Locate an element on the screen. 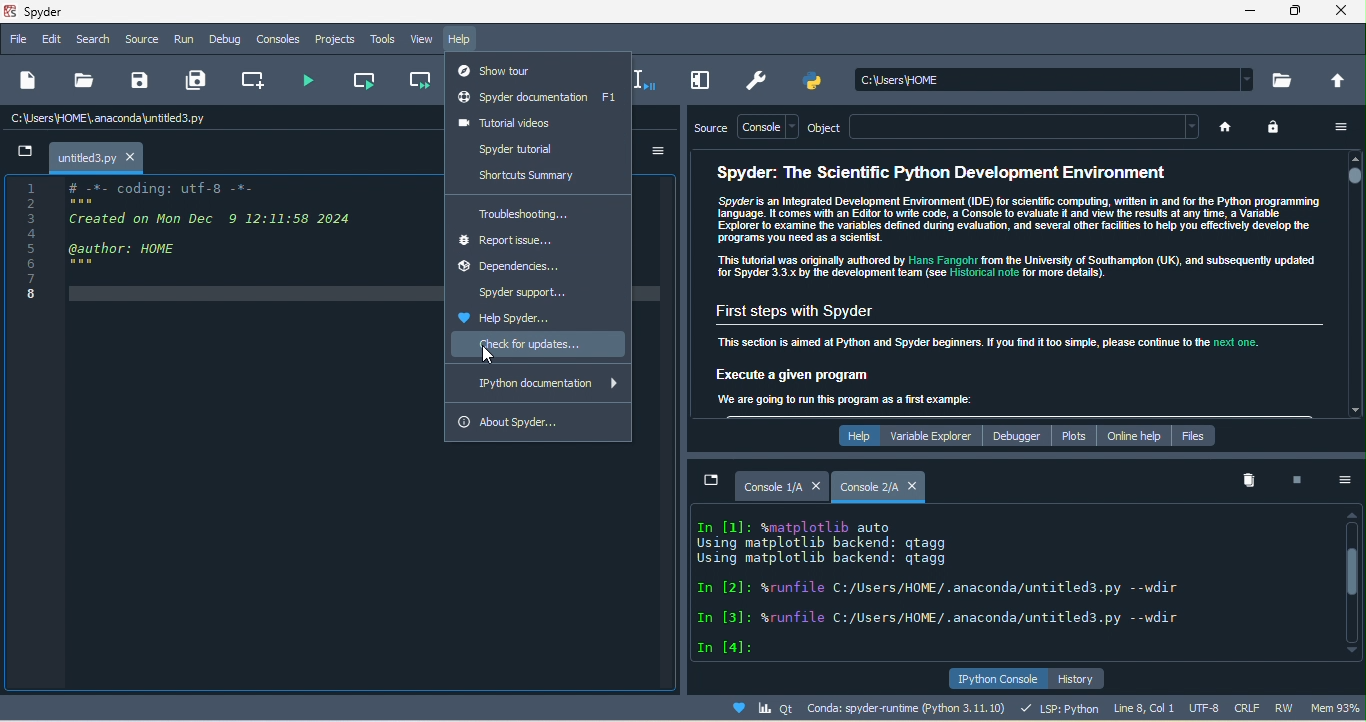 The width and height of the screenshot is (1366, 722). report issue is located at coordinates (524, 241).